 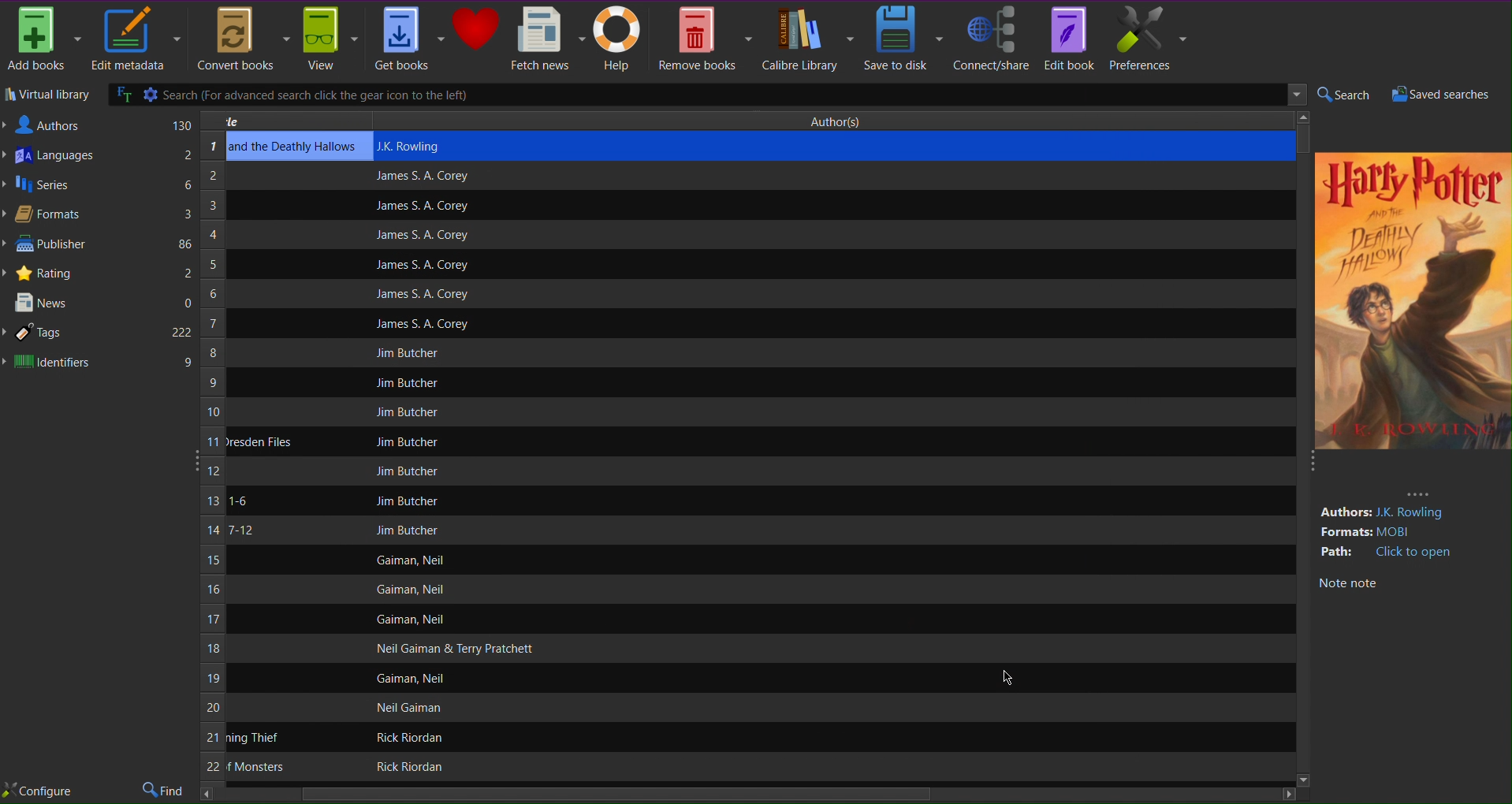 What do you see at coordinates (1339, 552) in the screenshot?
I see `Path:` at bounding box center [1339, 552].